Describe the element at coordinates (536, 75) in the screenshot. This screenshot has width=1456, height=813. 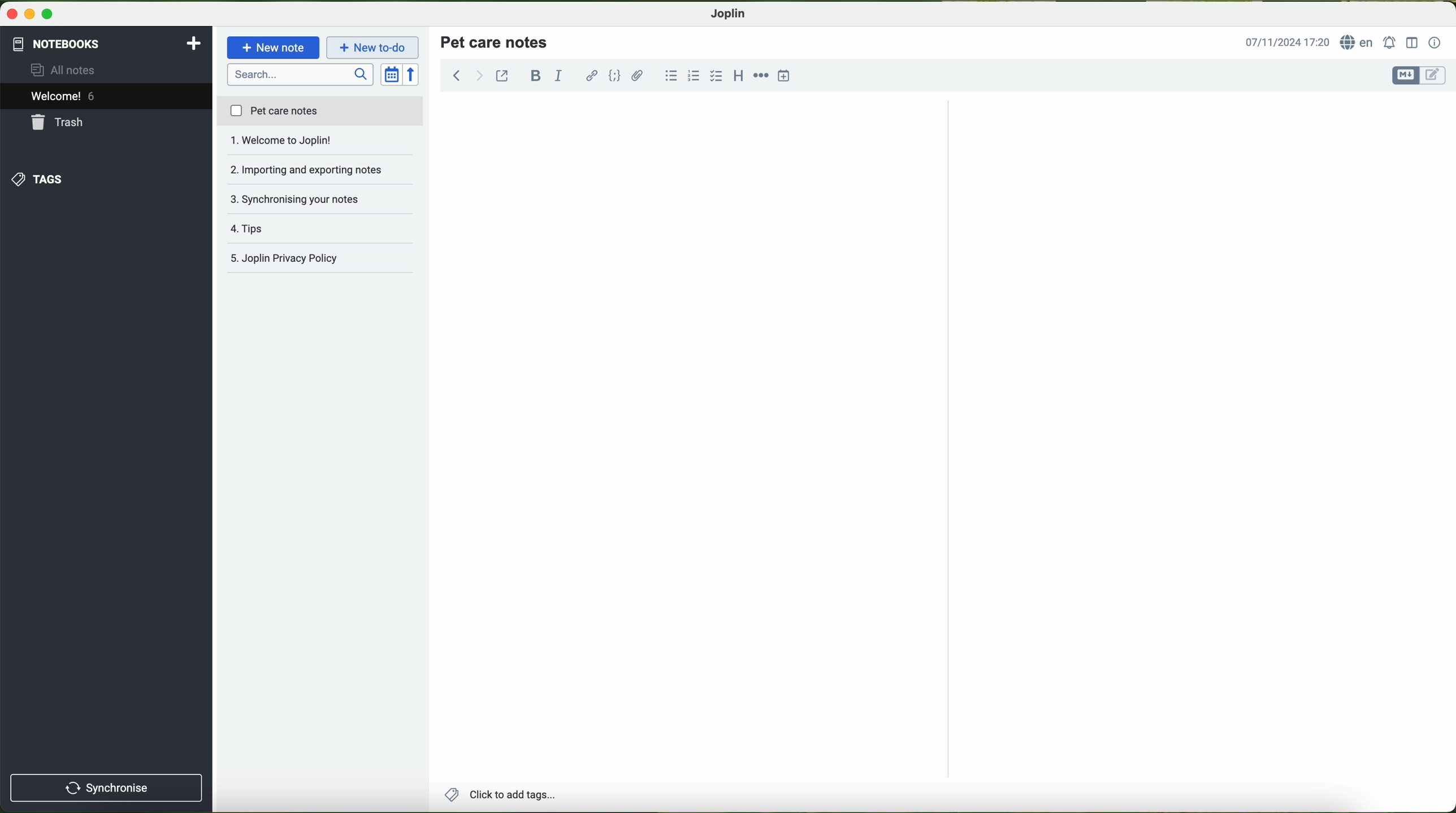
I see `bold` at that location.